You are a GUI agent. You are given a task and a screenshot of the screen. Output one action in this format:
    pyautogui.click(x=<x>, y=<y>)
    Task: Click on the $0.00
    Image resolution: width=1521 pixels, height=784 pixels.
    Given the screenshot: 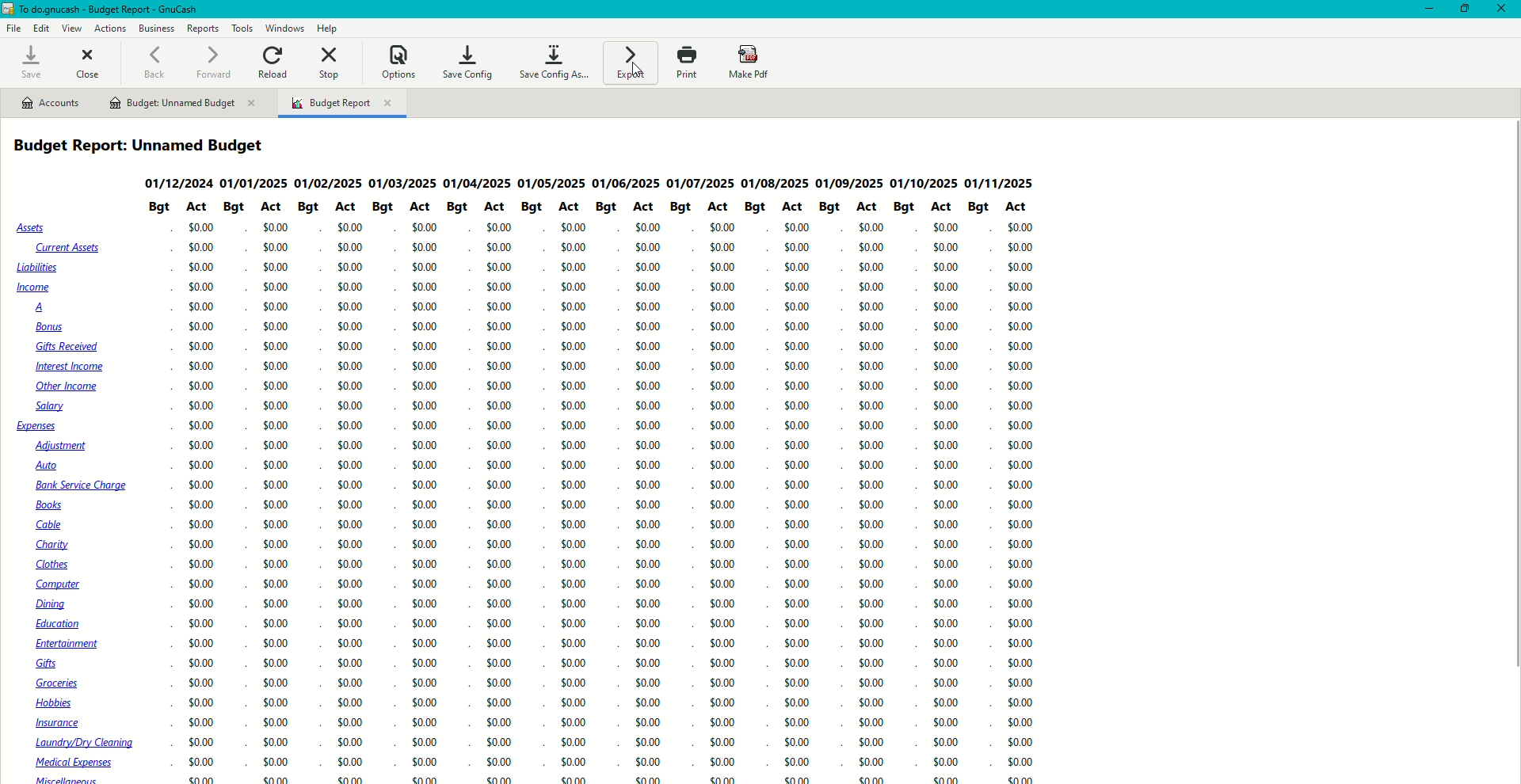 What is the action you would take?
    pyautogui.click(x=575, y=485)
    